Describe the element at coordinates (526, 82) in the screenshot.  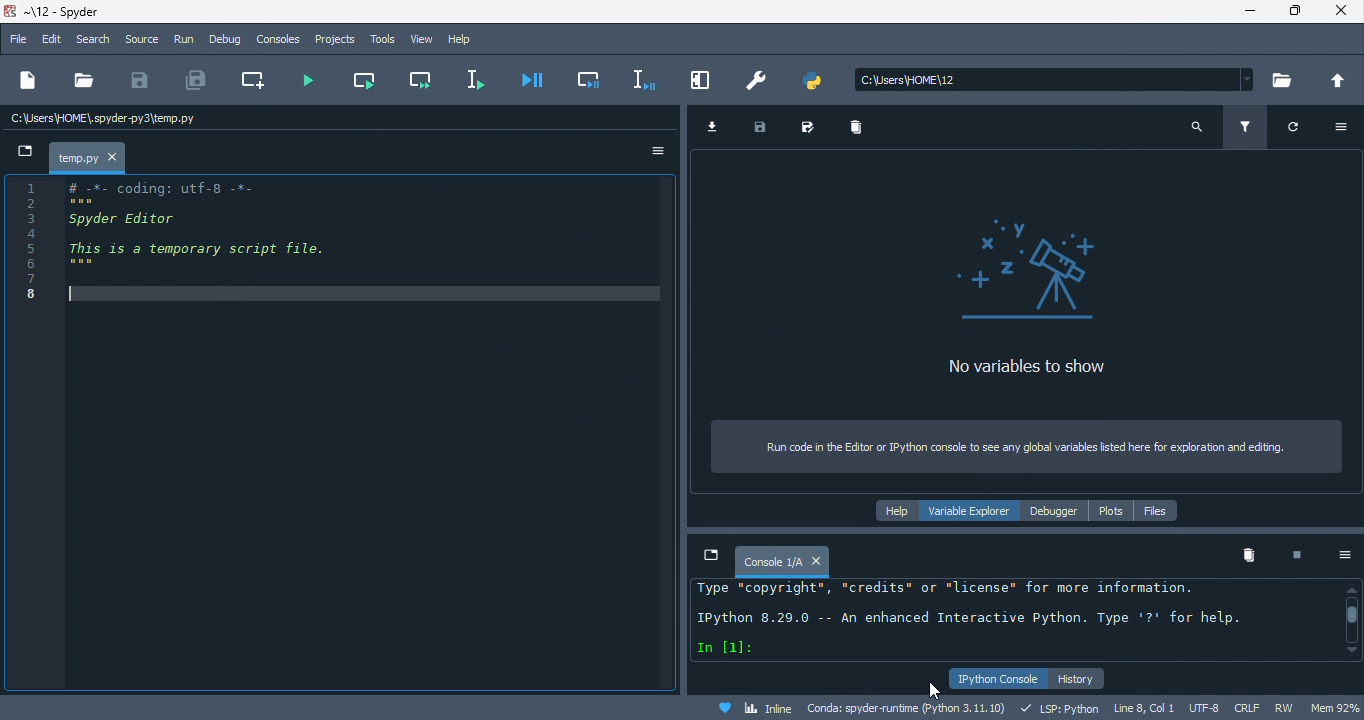
I see `debug file` at that location.